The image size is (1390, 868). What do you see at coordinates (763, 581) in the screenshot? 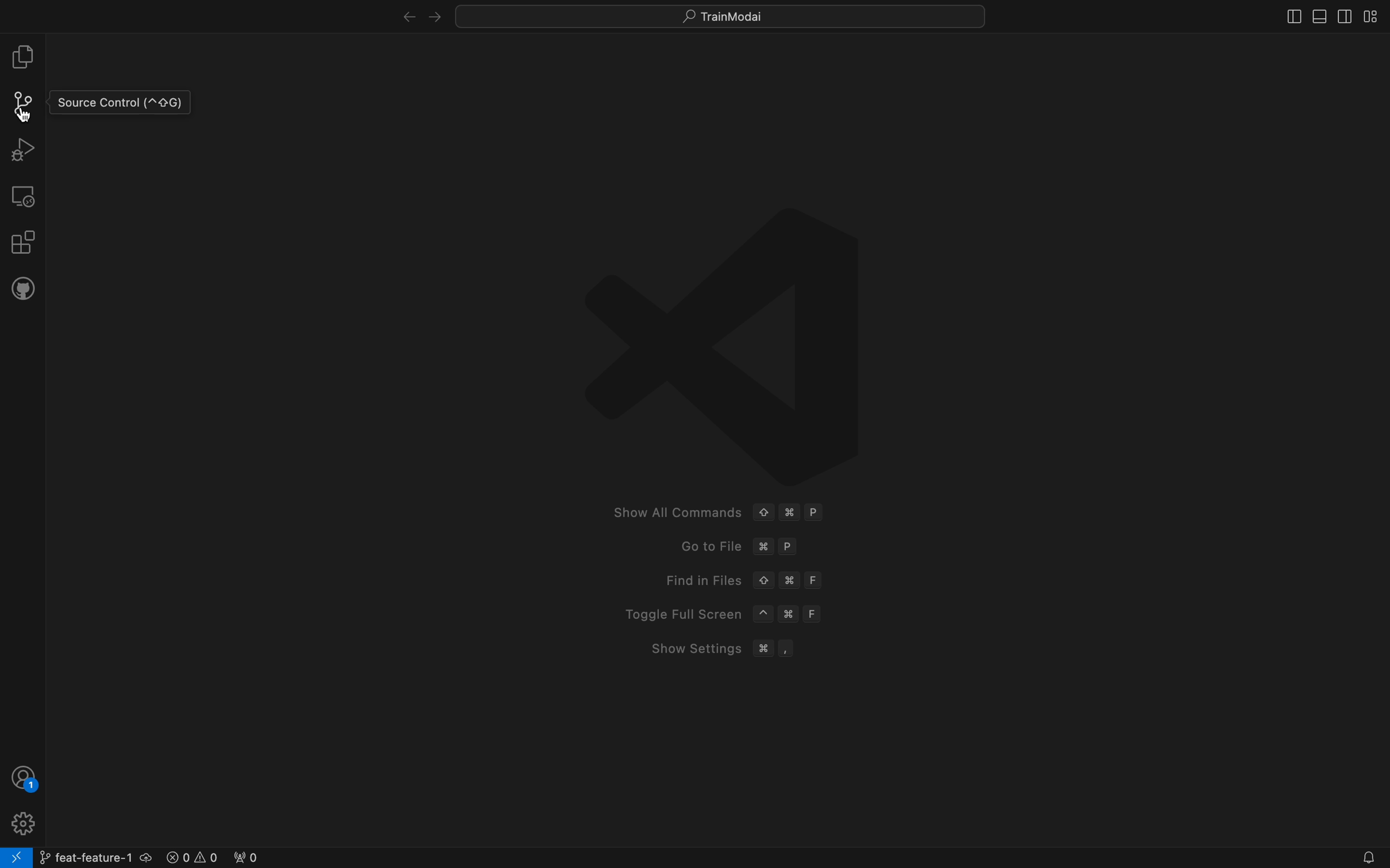
I see `Up` at bounding box center [763, 581].